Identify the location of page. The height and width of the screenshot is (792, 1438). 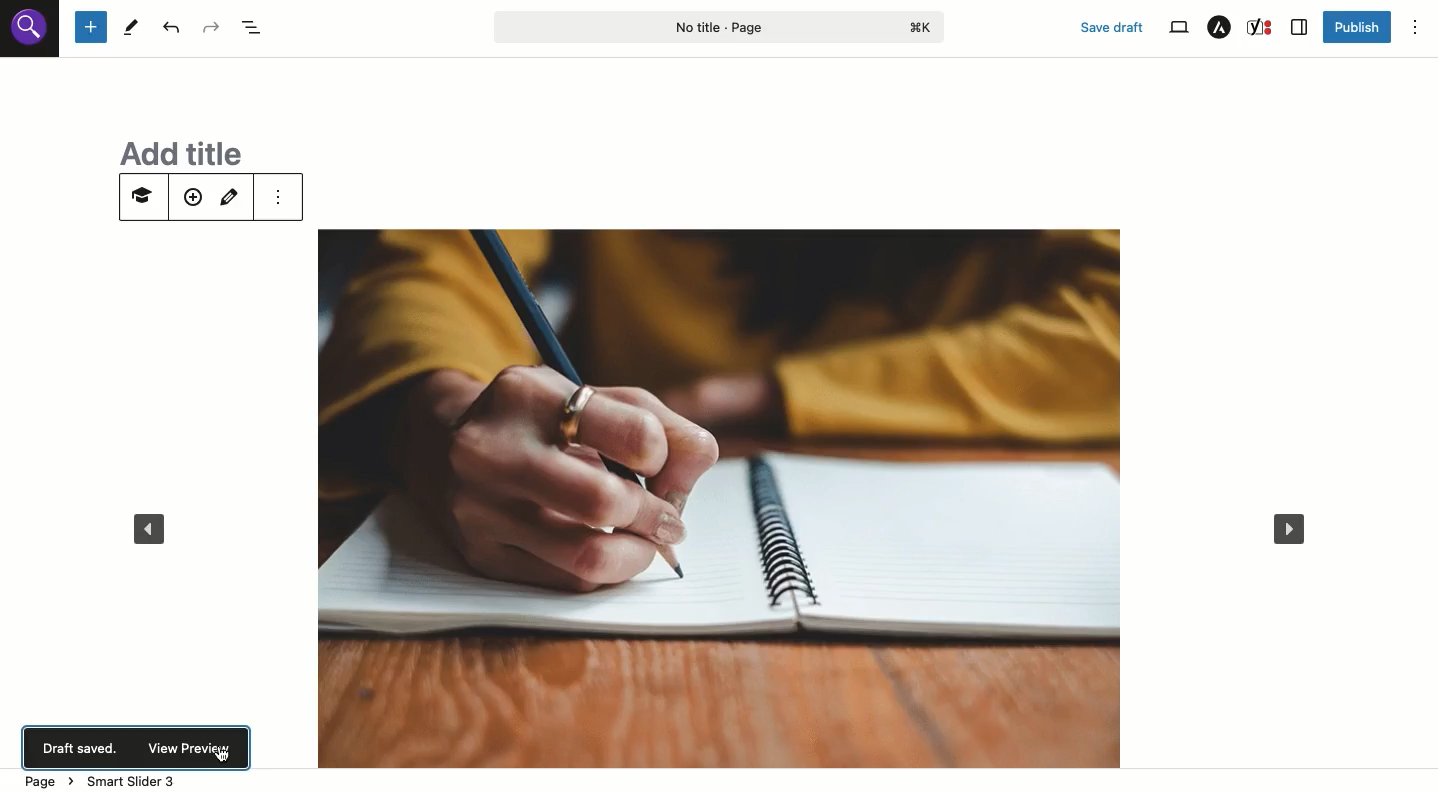
(48, 779).